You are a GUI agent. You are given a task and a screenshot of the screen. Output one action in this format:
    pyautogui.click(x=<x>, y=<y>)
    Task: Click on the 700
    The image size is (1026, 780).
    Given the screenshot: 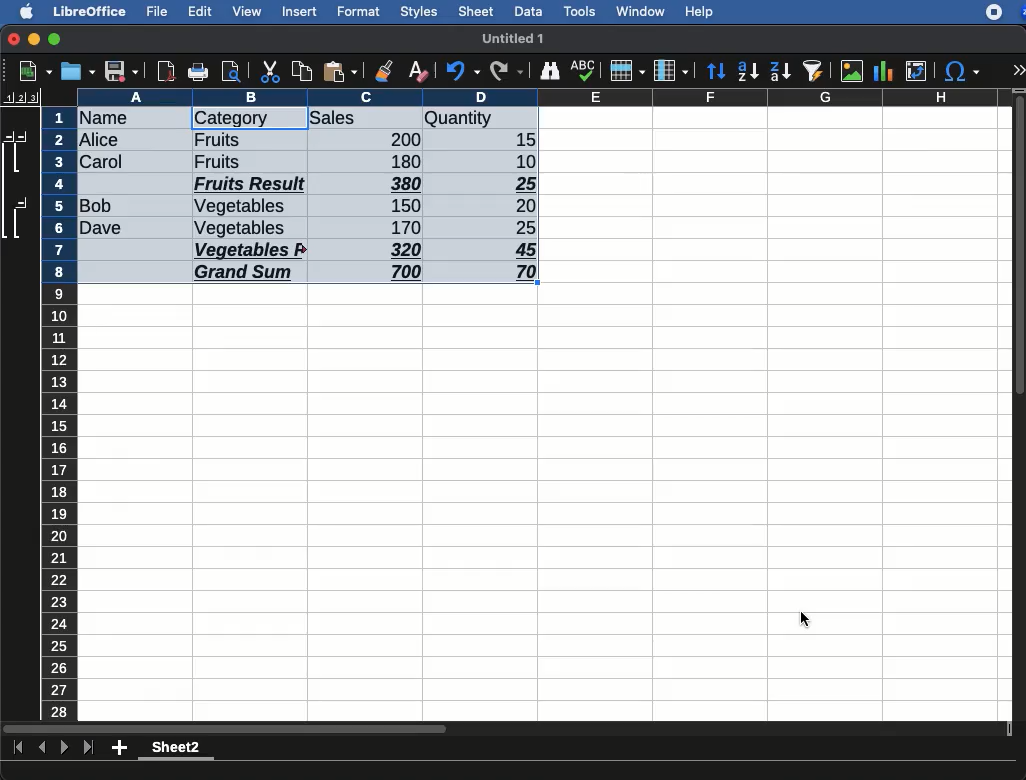 What is the action you would take?
    pyautogui.click(x=405, y=273)
    